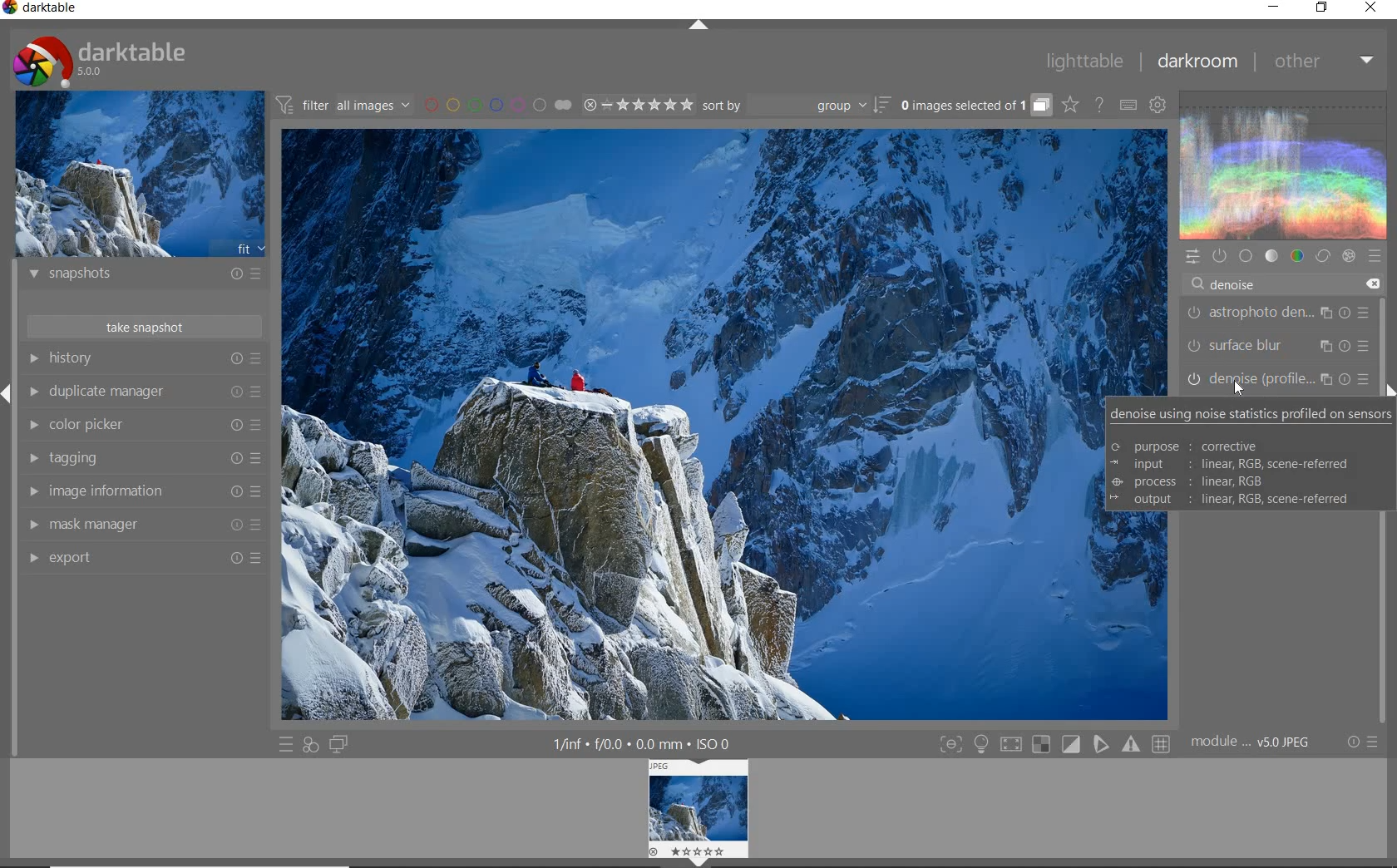  I want to click on 1/inf*f/0.0 mm*ISO 0, so click(648, 743).